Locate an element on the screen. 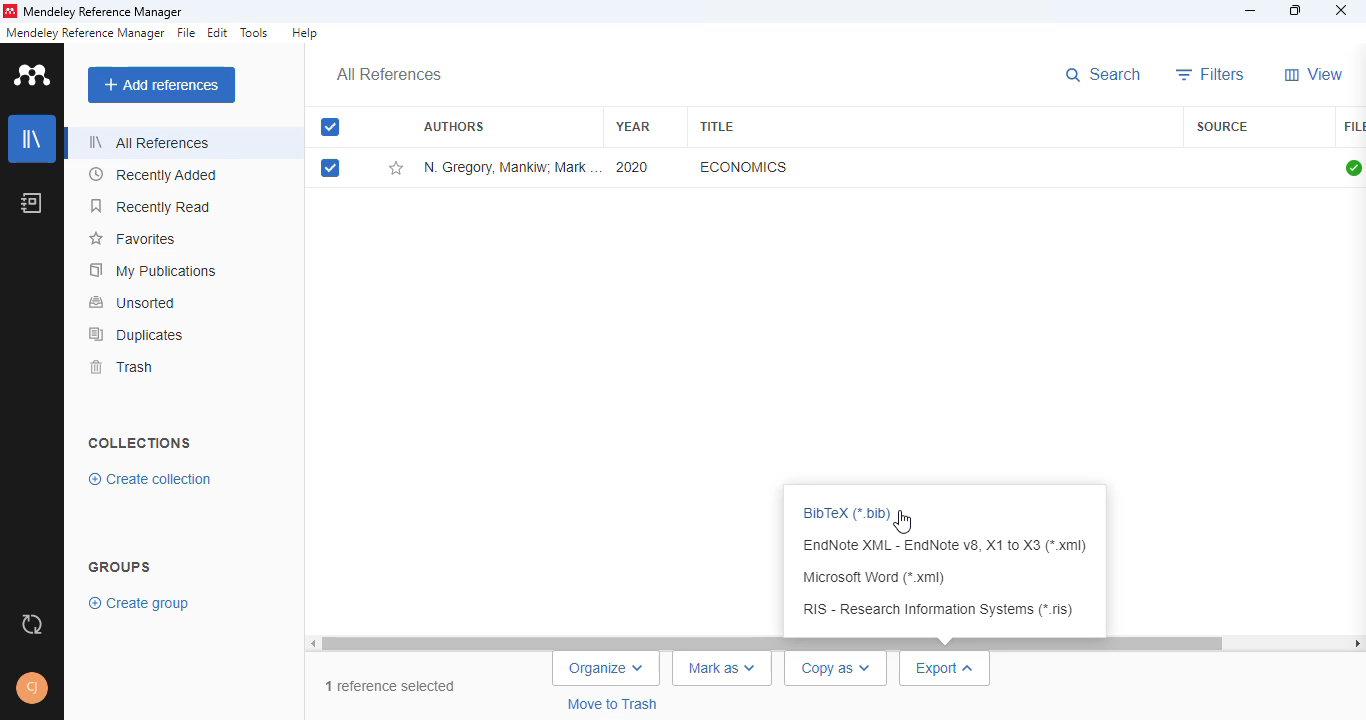  export is located at coordinates (945, 669).